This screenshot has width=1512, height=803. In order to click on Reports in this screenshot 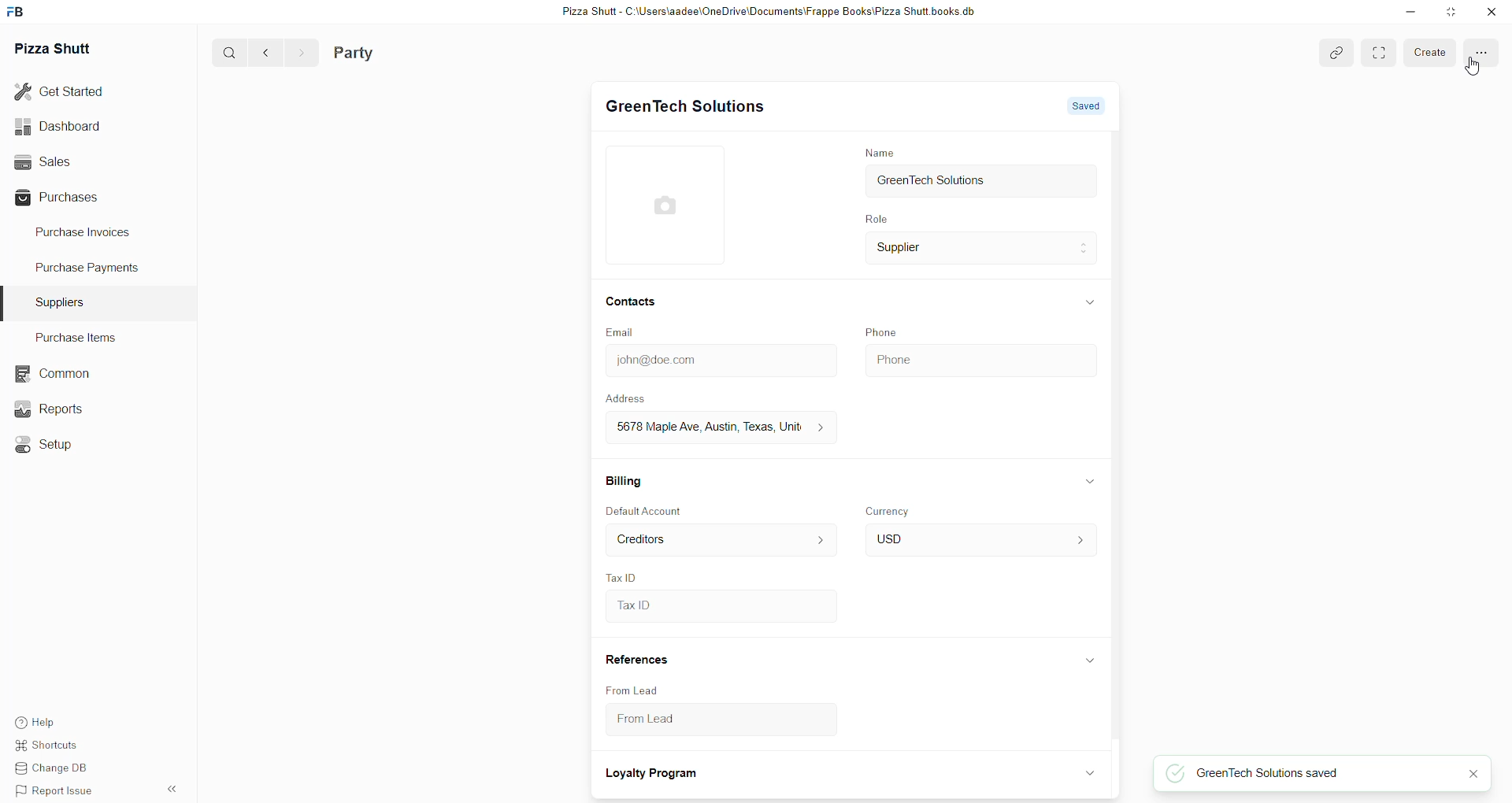, I will do `click(51, 409)`.